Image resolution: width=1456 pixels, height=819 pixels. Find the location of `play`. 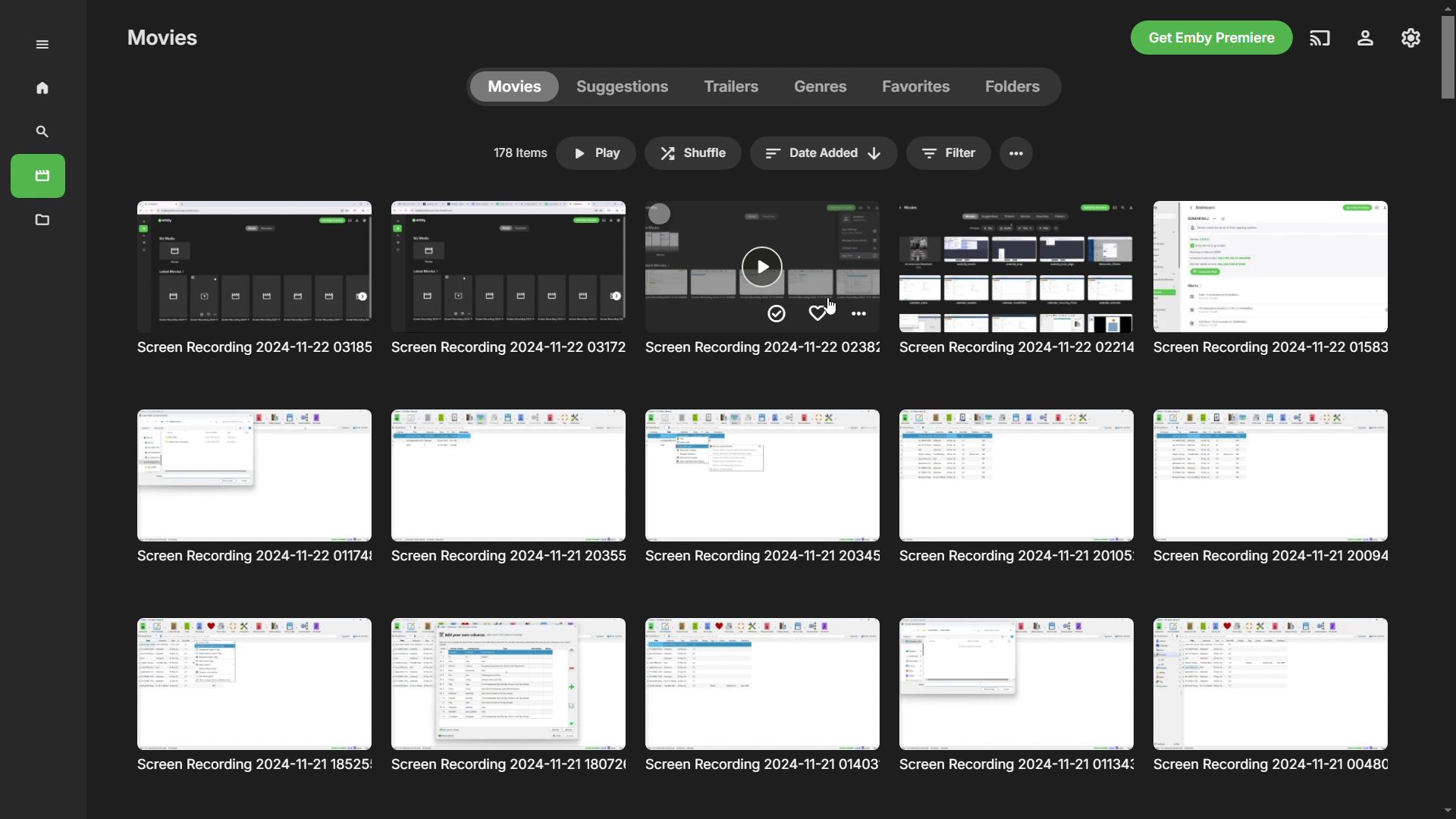

play is located at coordinates (598, 152).